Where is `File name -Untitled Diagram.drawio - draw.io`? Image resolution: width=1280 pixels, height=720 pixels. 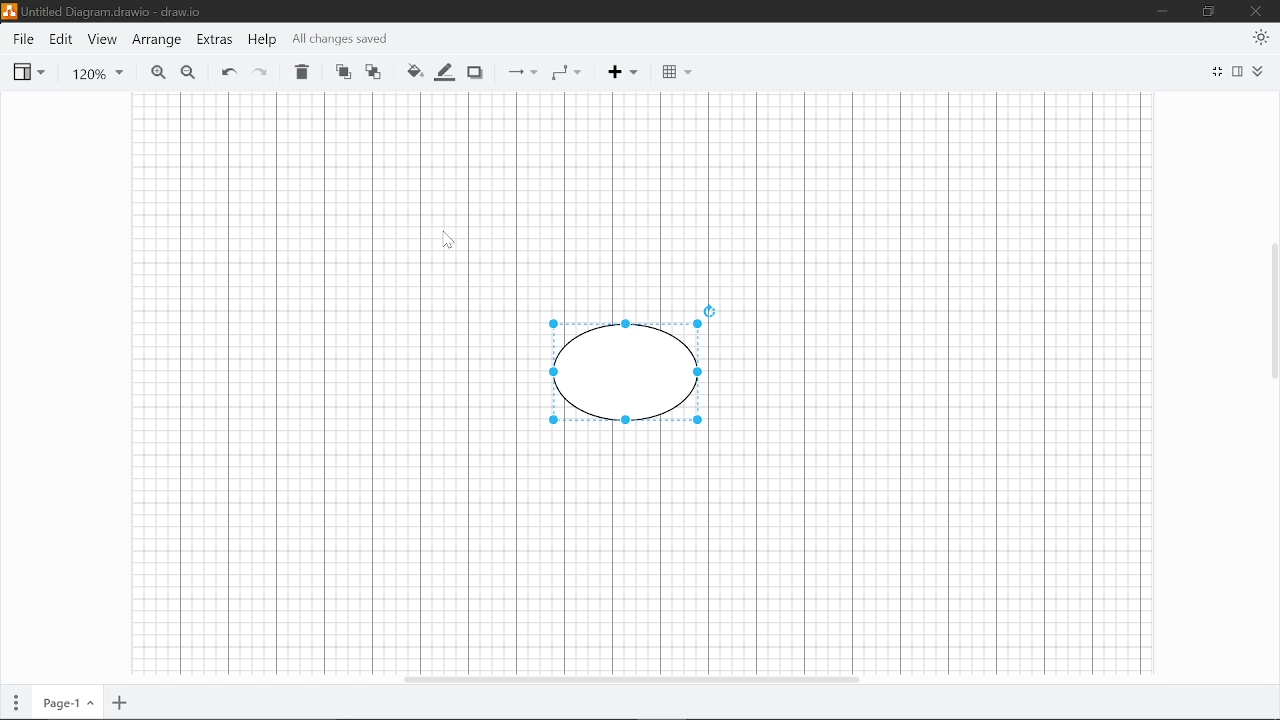
File name -Untitled Diagram.drawio - draw.io is located at coordinates (101, 10).